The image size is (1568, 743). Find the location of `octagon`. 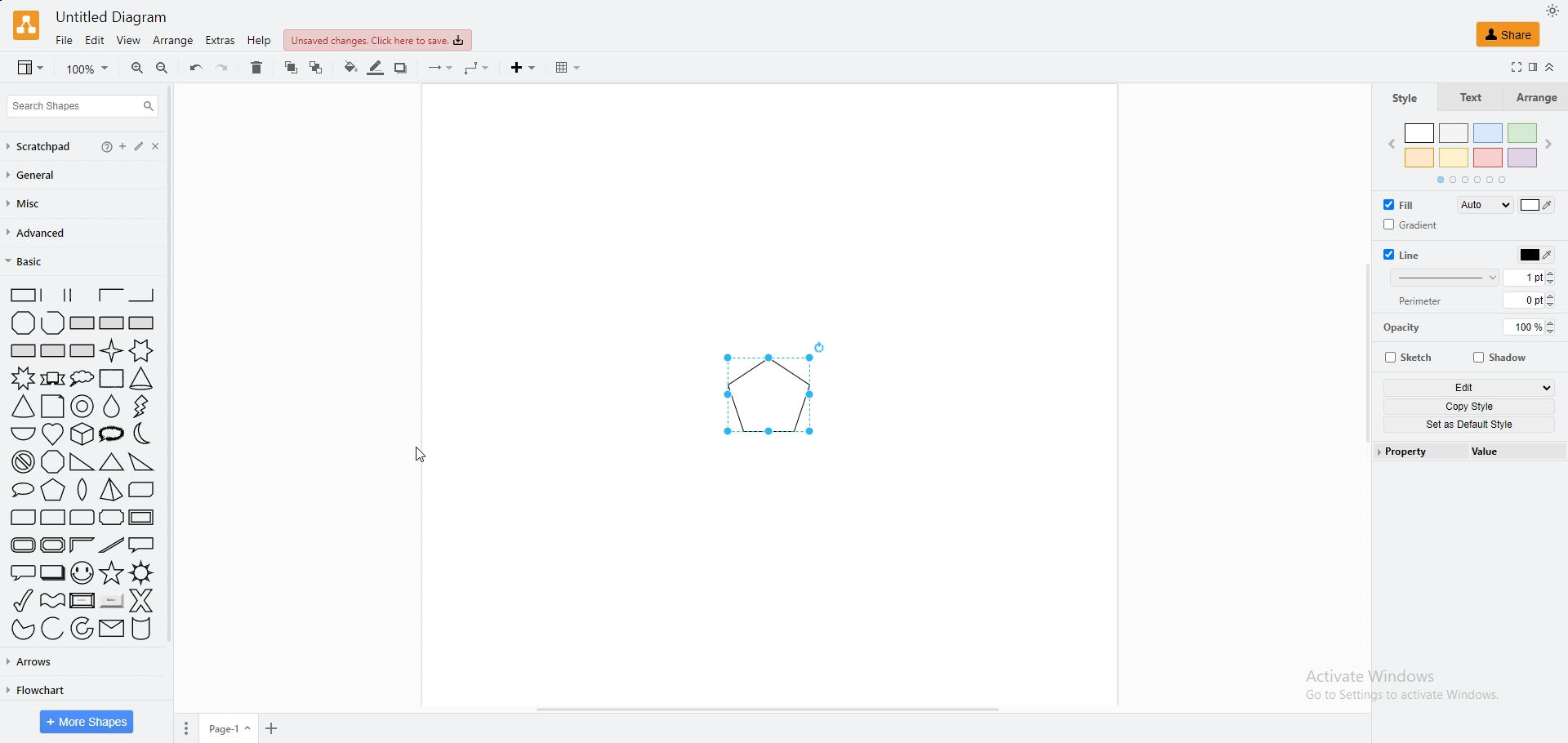

octagon is located at coordinates (53, 462).